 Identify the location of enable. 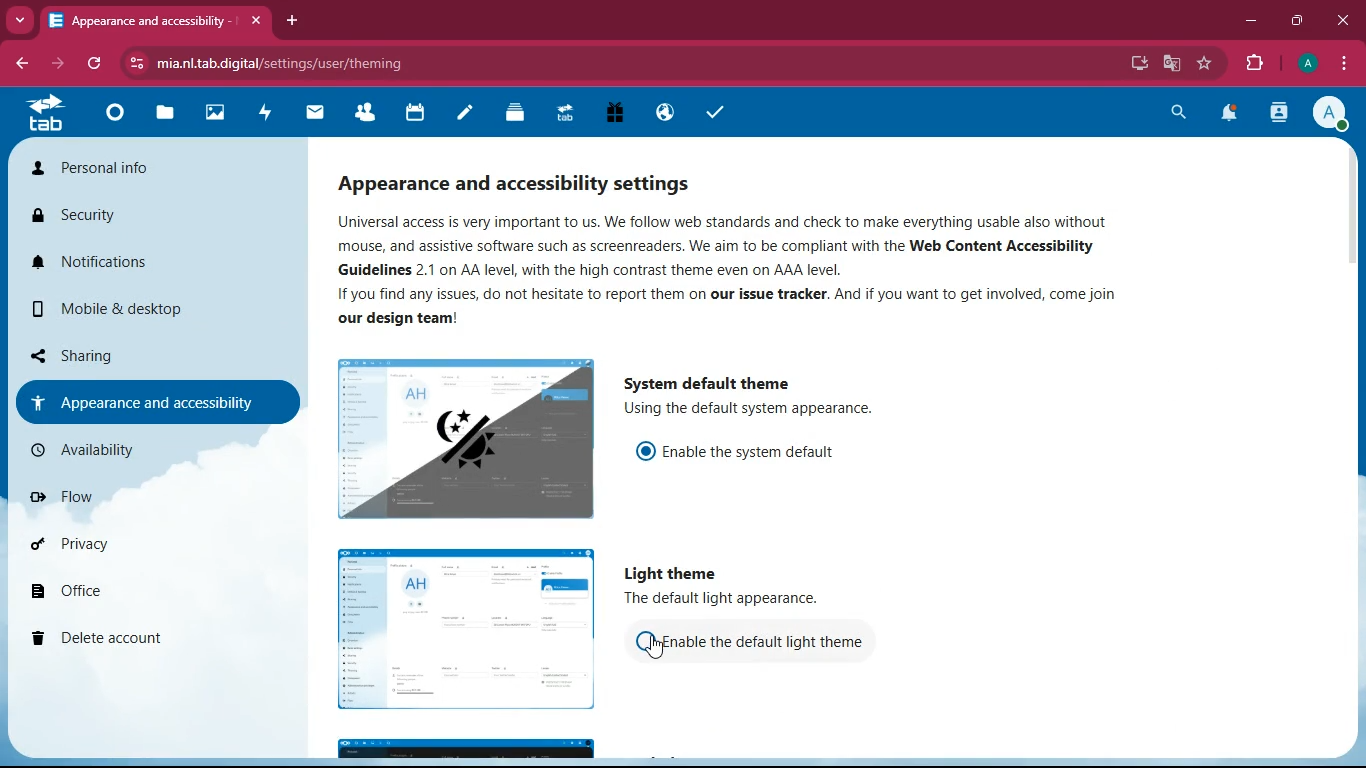
(773, 641).